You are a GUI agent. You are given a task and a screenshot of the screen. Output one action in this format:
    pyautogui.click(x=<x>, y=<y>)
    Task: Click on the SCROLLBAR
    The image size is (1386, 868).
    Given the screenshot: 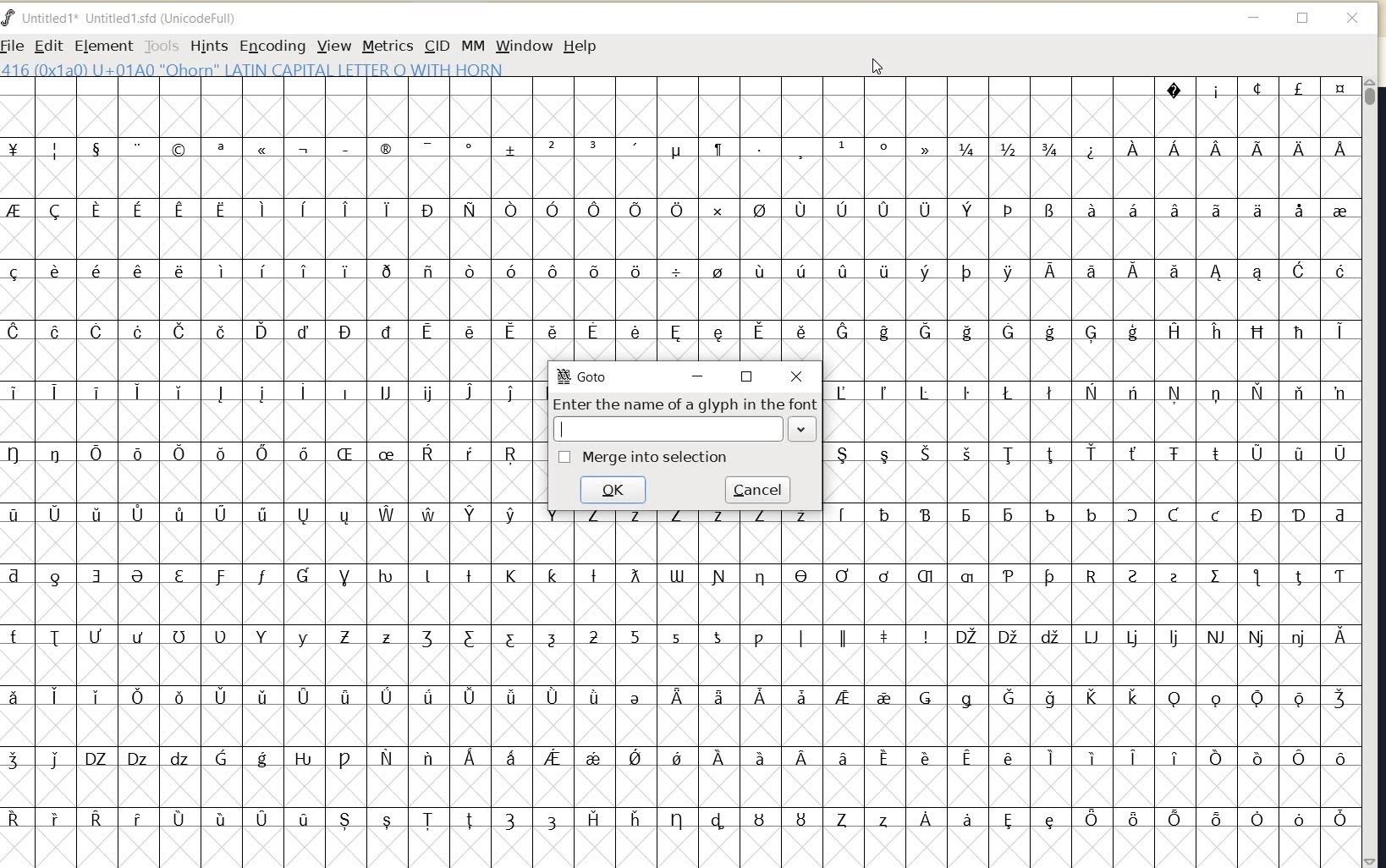 What is the action you would take?
    pyautogui.click(x=1372, y=472)
    